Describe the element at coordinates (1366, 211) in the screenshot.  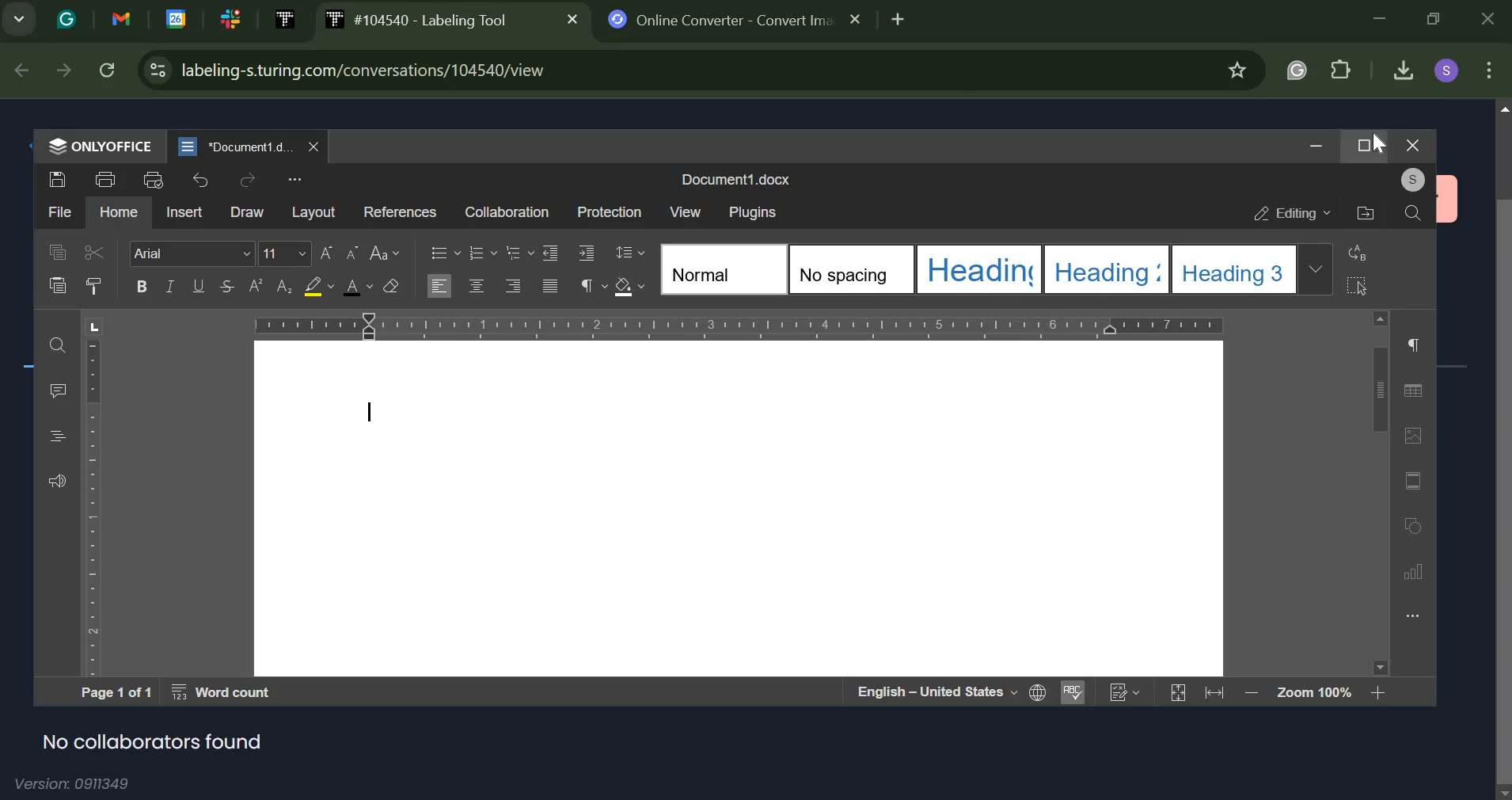
I see `file location` at that location.